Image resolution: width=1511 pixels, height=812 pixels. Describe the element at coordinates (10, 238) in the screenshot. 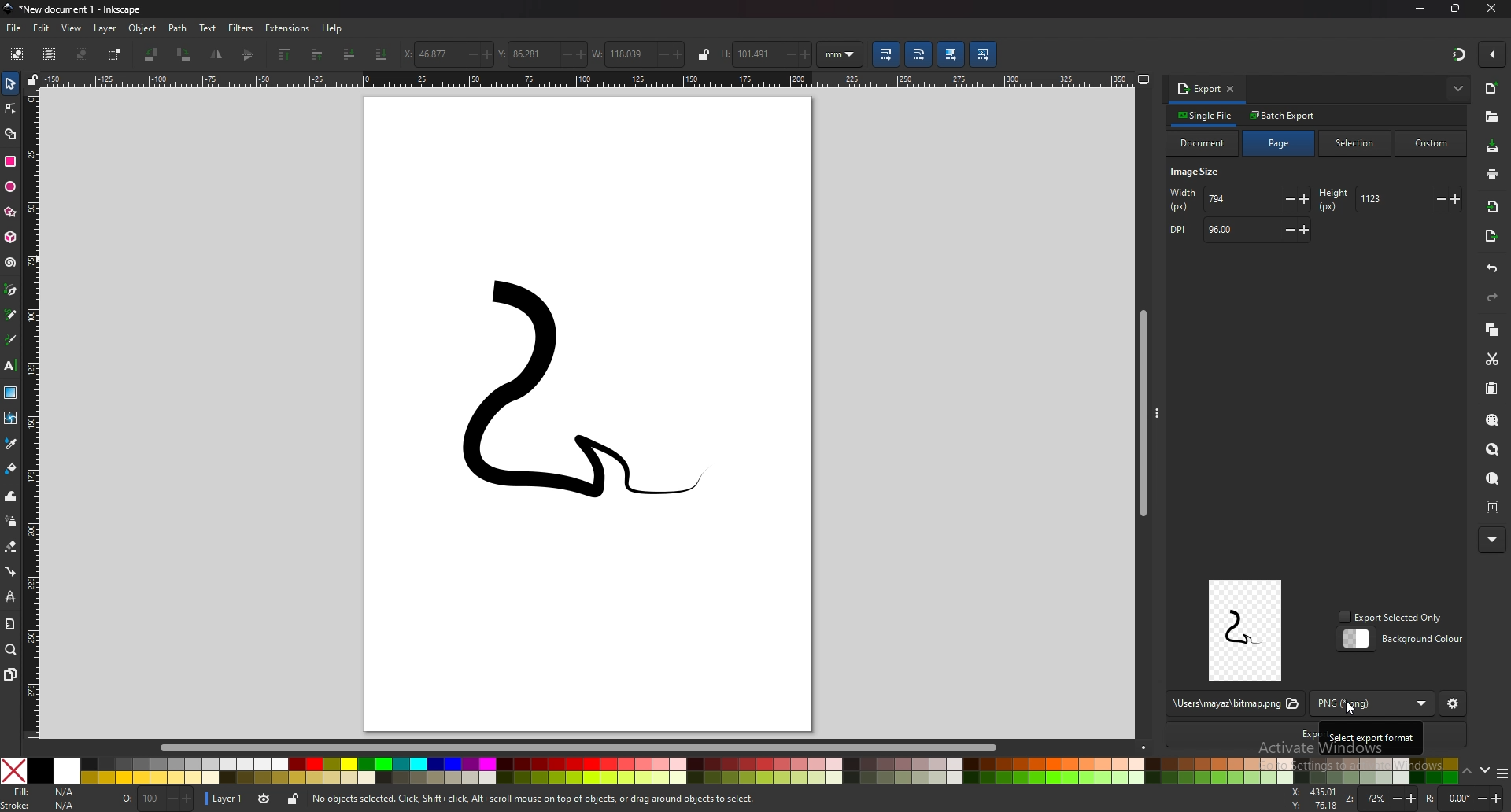

I see `3d box` at that location.